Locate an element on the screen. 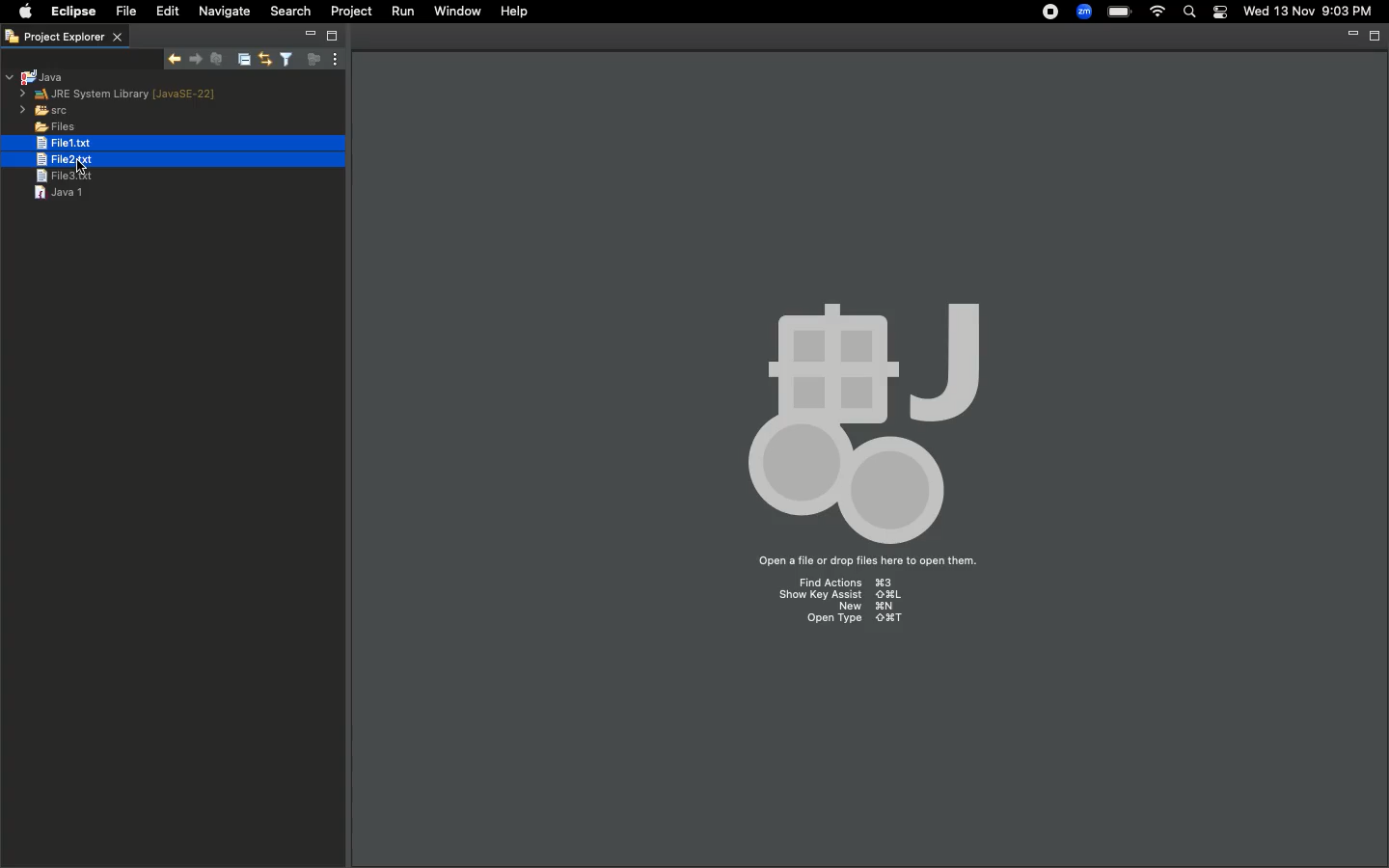 The height and width of the screenshot is (868, 1389). Focus on active task is located at coordinates (311, 60).